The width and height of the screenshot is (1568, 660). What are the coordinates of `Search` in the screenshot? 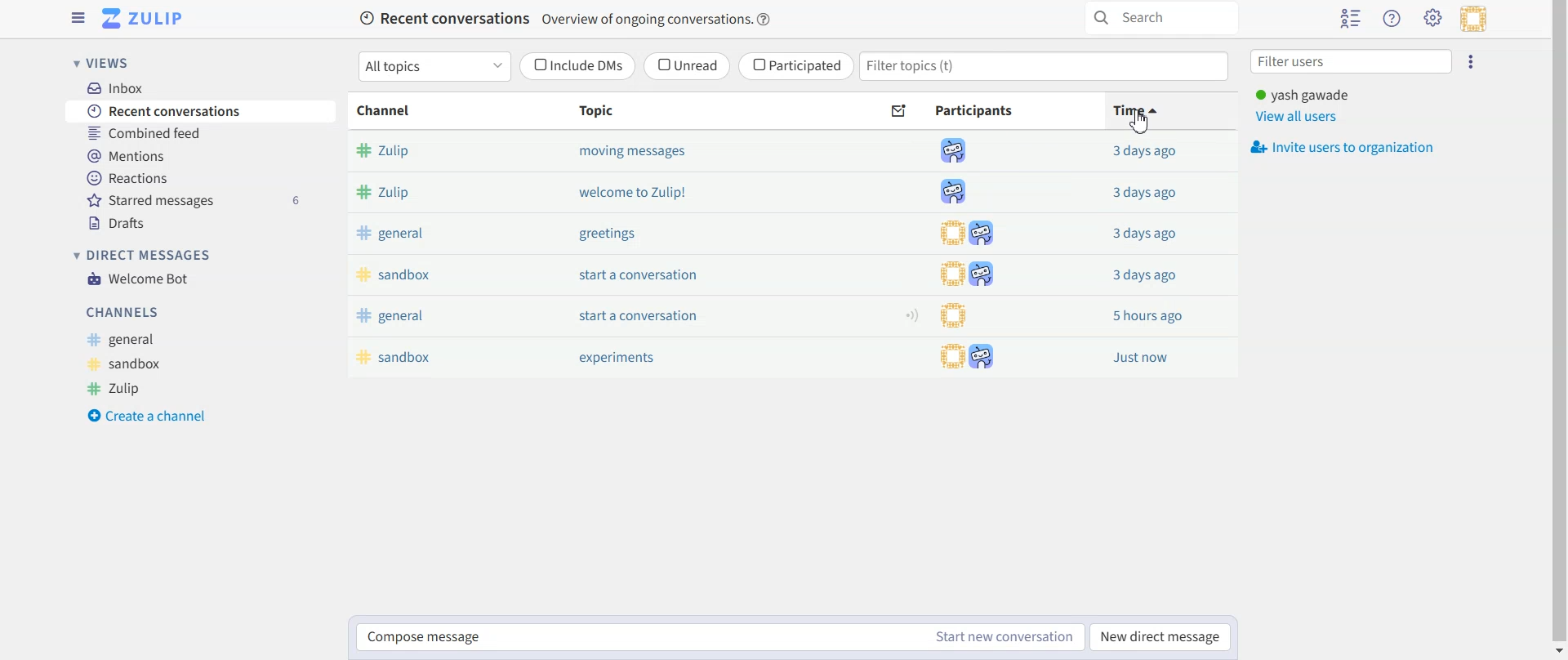 It's located at (1160, 19).